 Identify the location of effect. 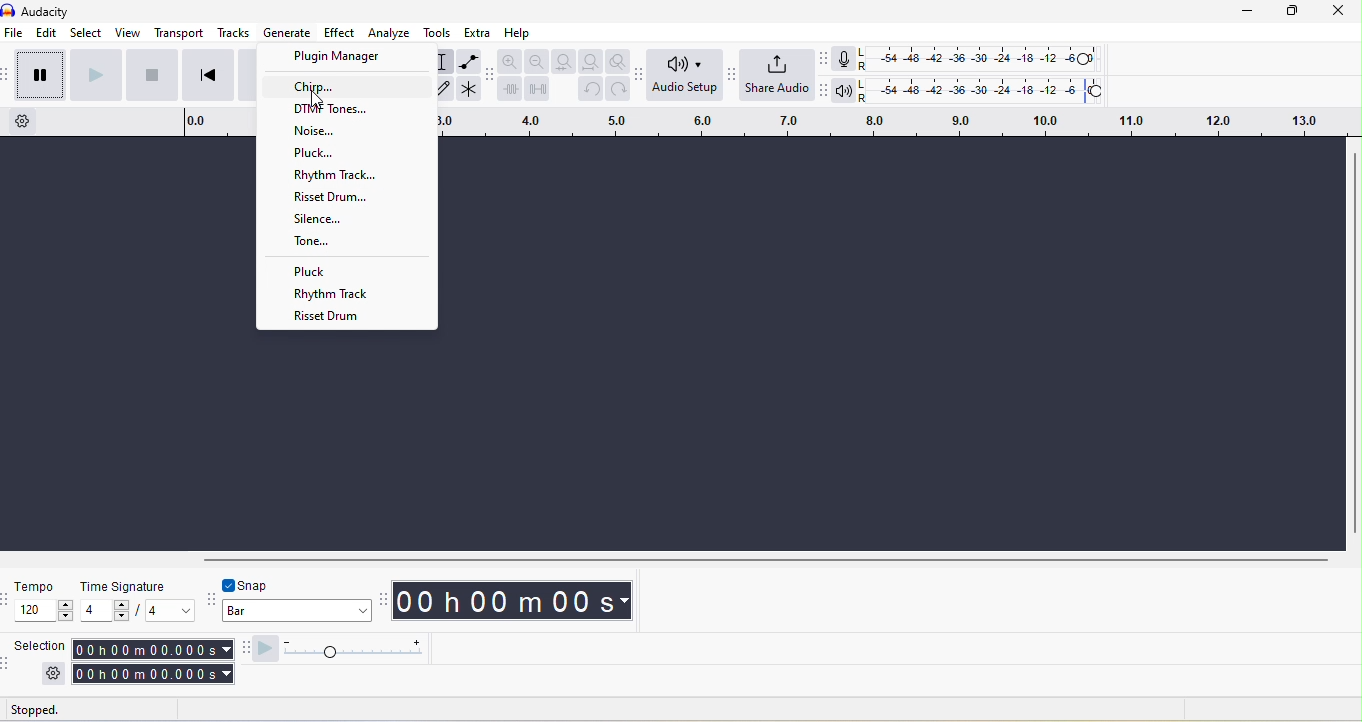
(342, 32).